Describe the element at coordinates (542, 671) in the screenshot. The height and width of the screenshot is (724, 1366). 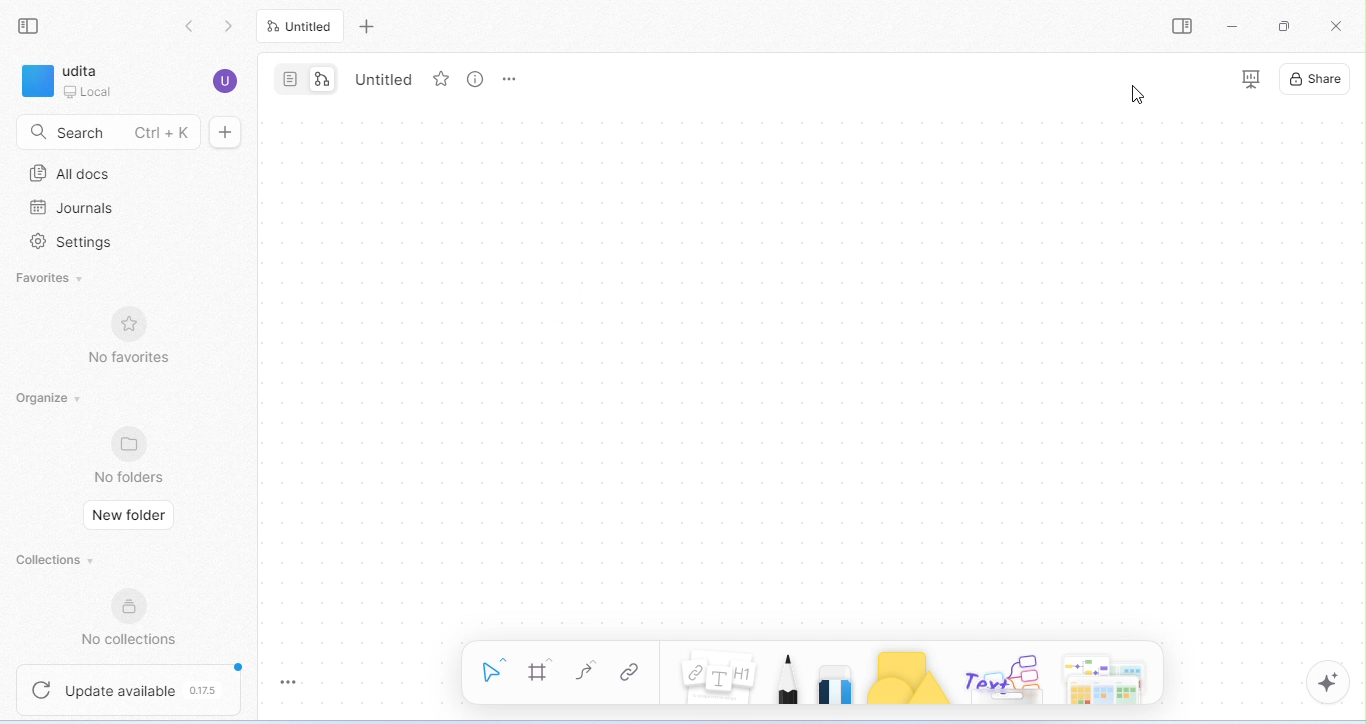
I see `frame` at that location.